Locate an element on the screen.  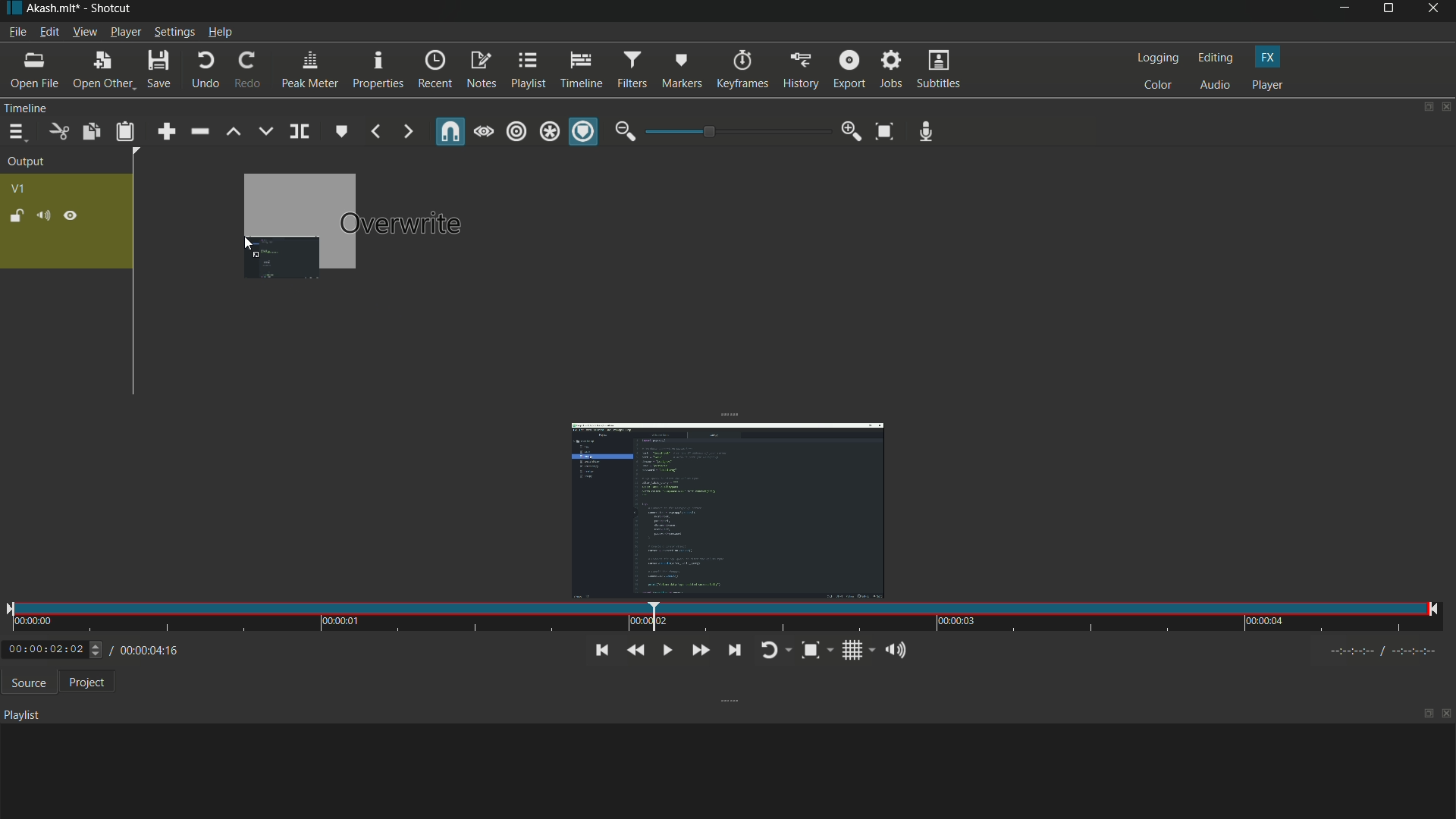
export is located at coordinates (847, 70).